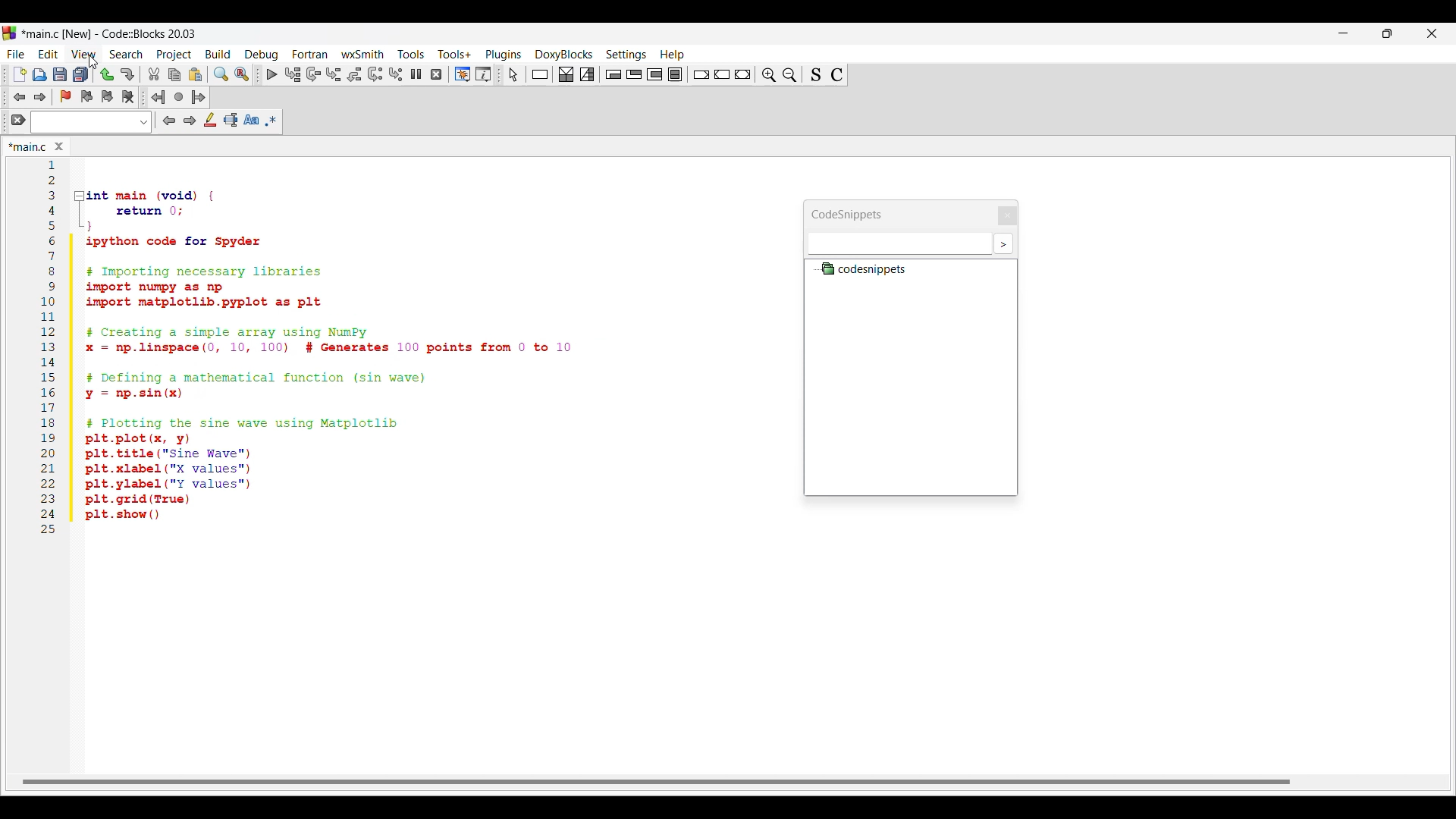  What do you see at coordinates (92, 122) in the screenshot?
I see `Text box and text options` at bounding box center [92, 122].